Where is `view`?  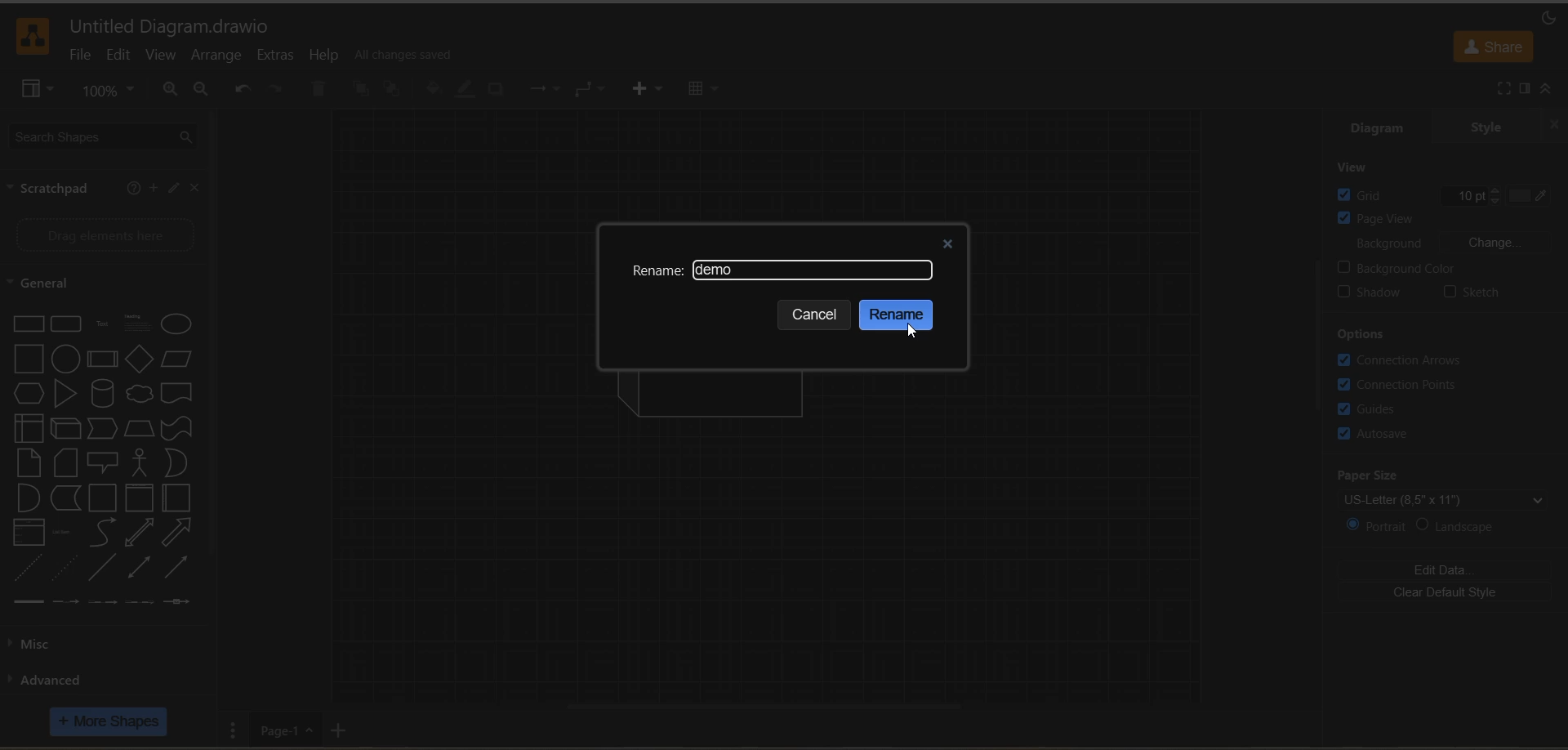
view is located at coordinates (1363, 167).